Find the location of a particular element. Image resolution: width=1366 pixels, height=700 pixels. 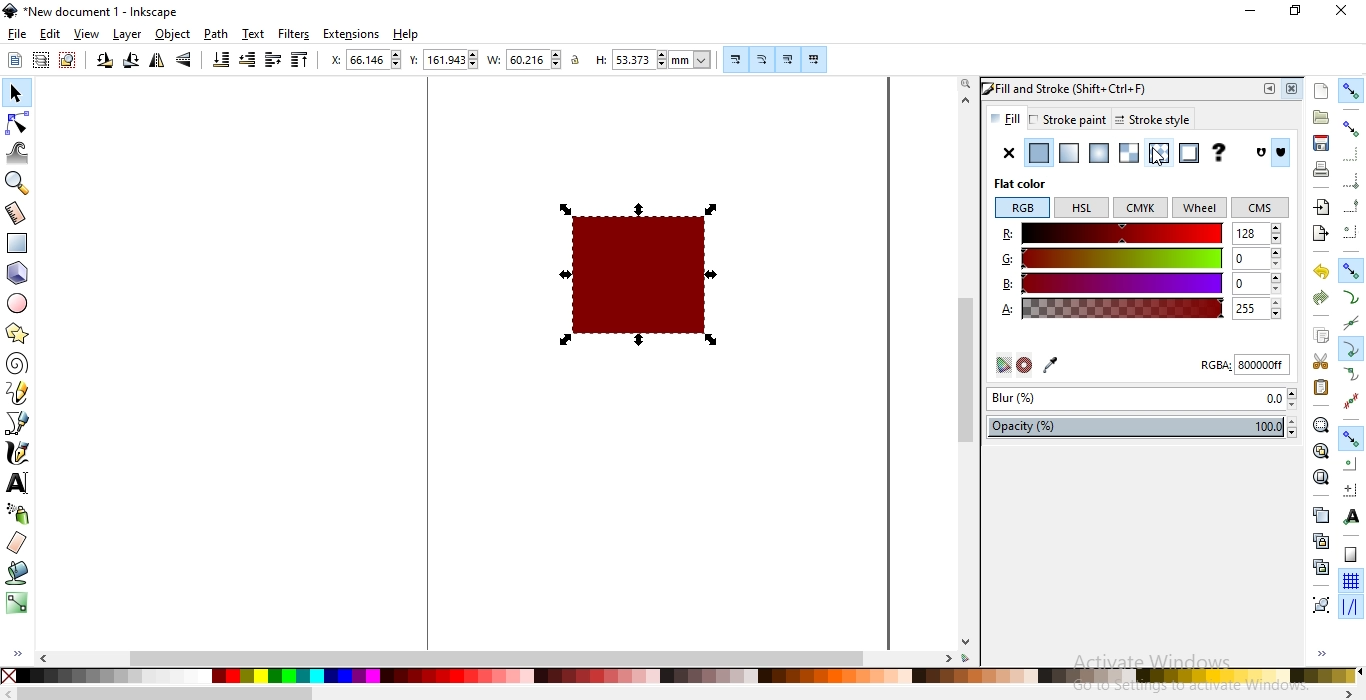

cursor is located at coordinates (1158, 162).